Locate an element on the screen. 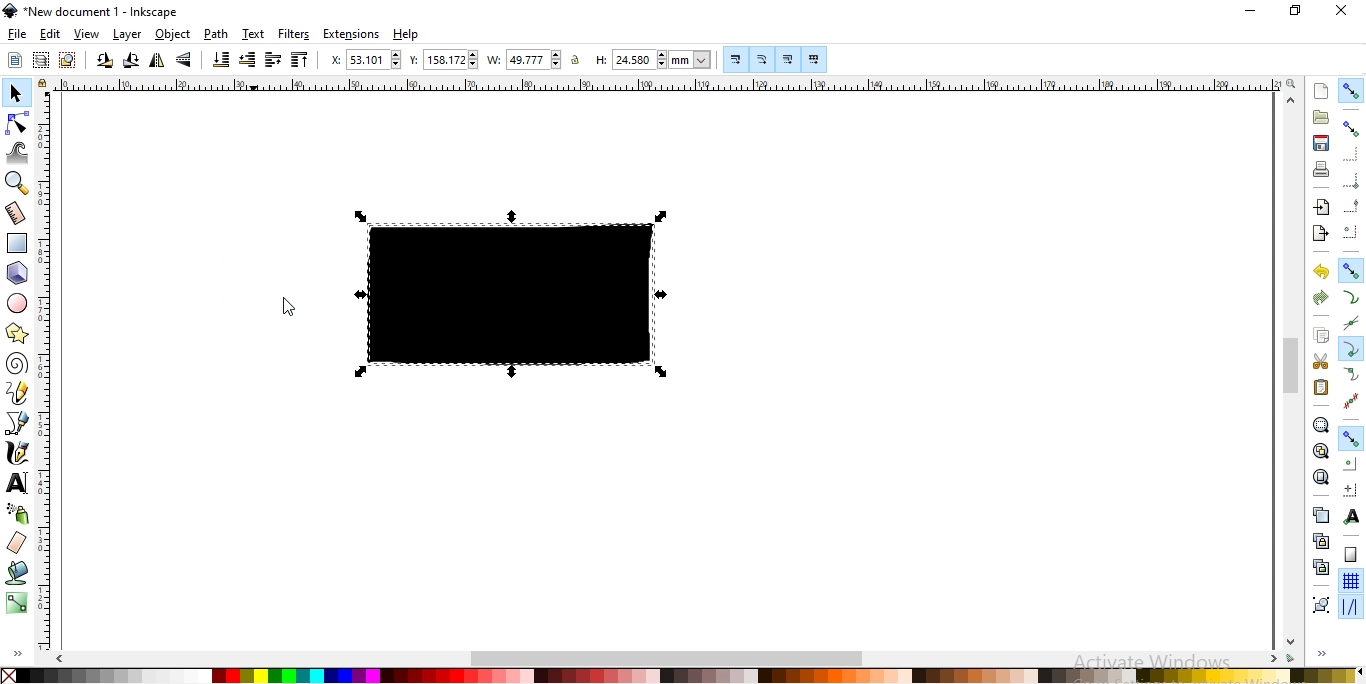 Image resolution: width=1366 pixels, height=684 pixels. view is located at coordinates (86, 35).